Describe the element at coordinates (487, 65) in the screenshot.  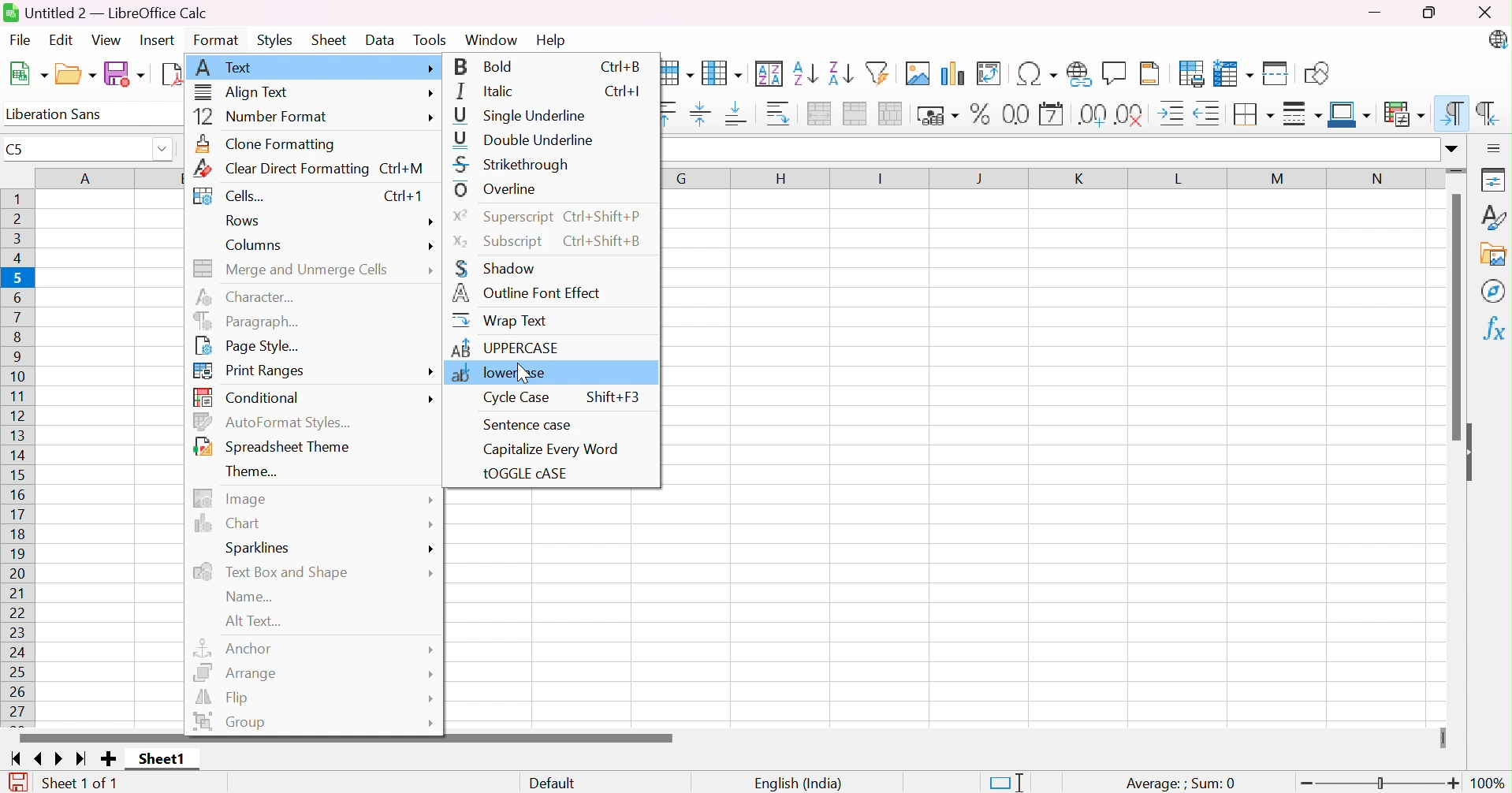
I see `Bold` at that location.